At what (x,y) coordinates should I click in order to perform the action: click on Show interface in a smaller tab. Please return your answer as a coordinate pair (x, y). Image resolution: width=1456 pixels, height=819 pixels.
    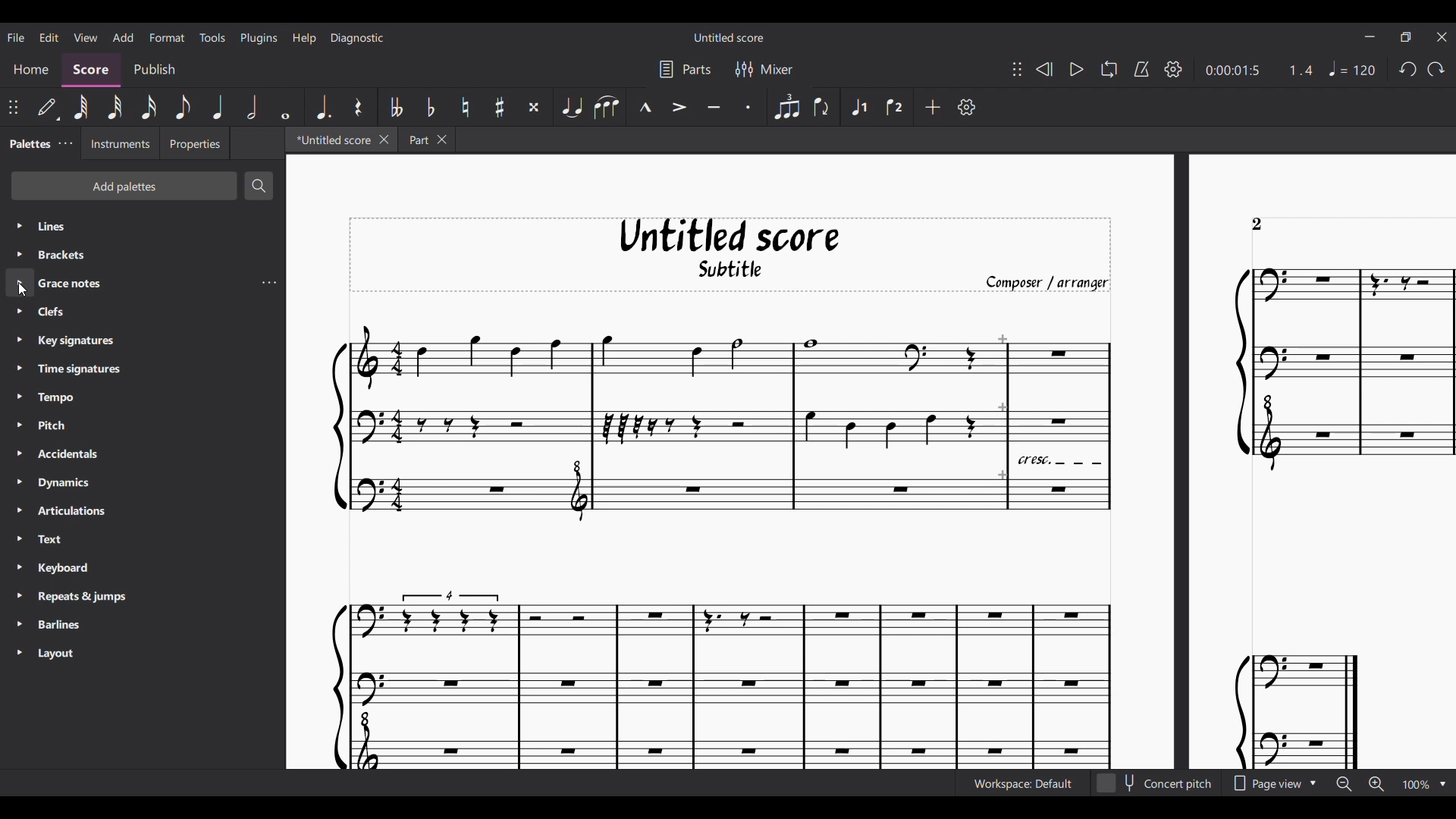
    Looking at the image, I should click on (1405, 37).